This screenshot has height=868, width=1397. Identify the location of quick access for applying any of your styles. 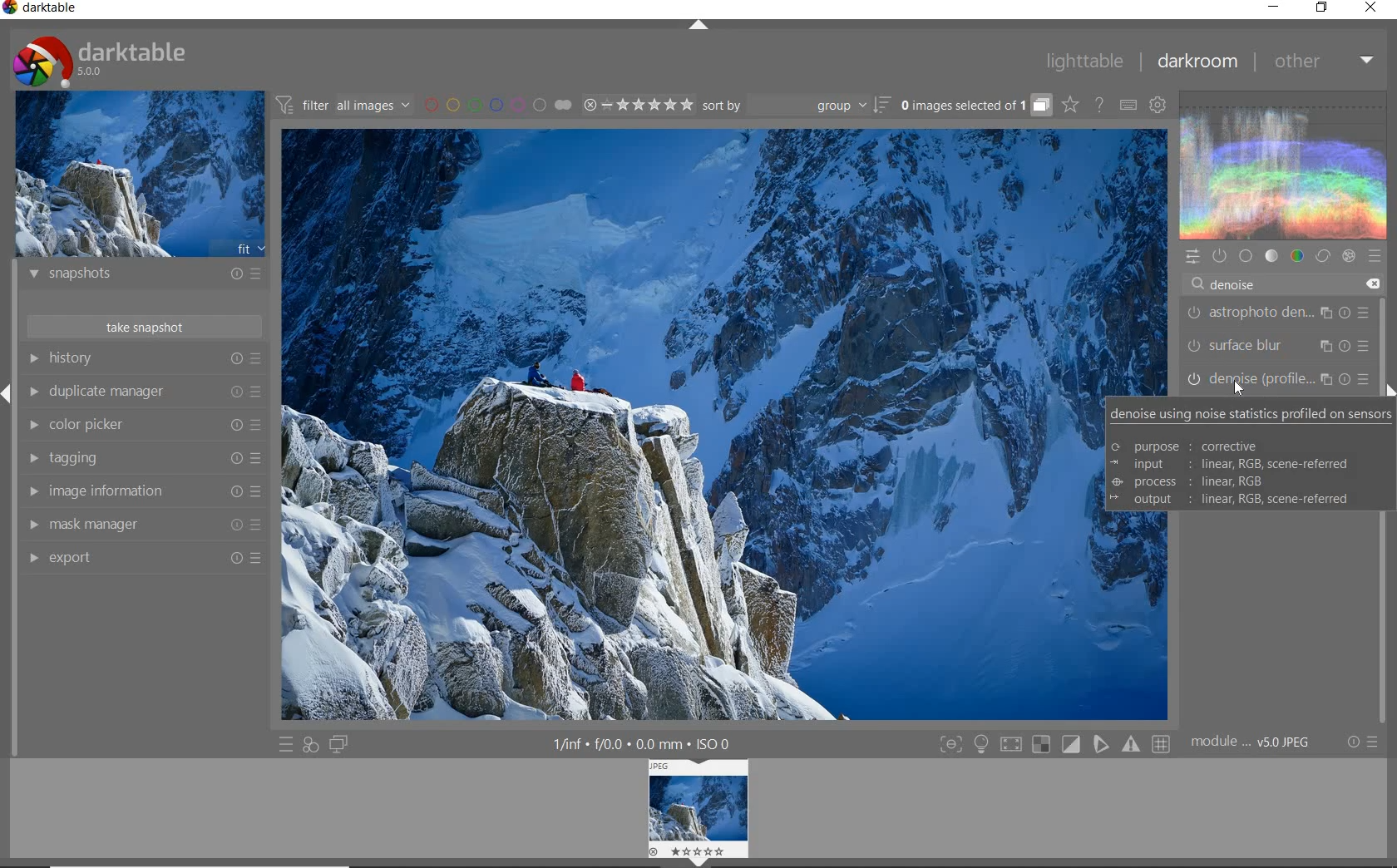
(311, 747).